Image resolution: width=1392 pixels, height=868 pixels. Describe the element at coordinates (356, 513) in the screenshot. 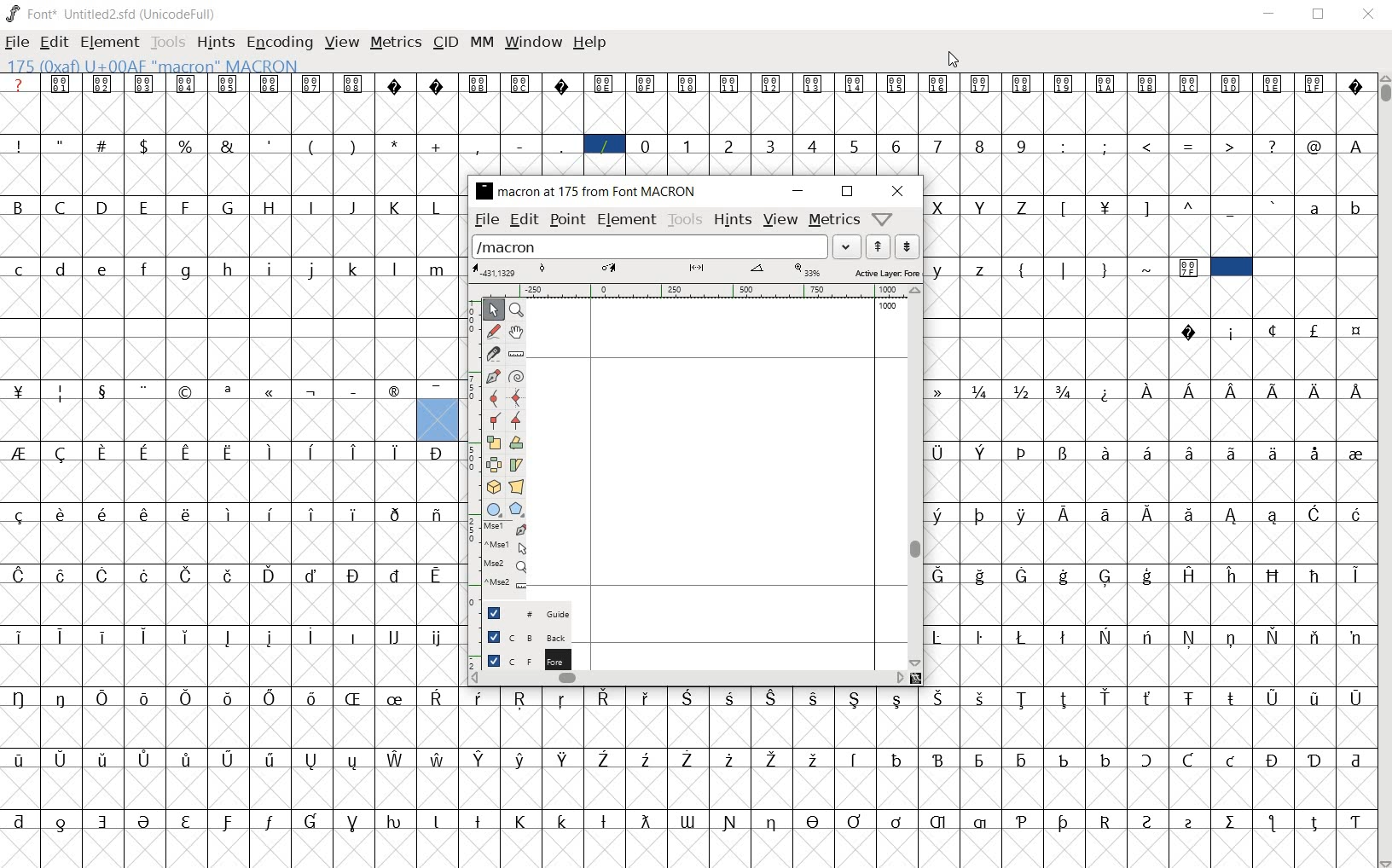

I see `Symbol` at that location.